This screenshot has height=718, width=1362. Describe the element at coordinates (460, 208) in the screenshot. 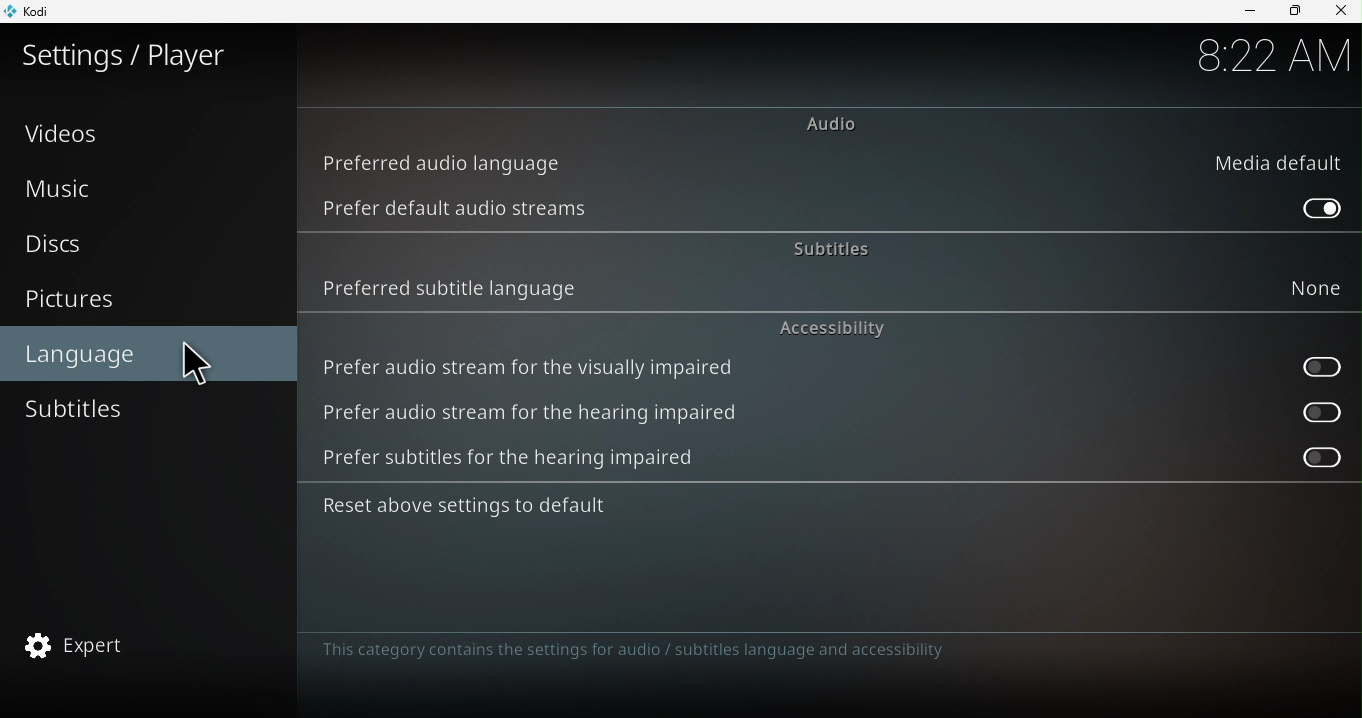

I see `Prefer default audio streams` at that location.